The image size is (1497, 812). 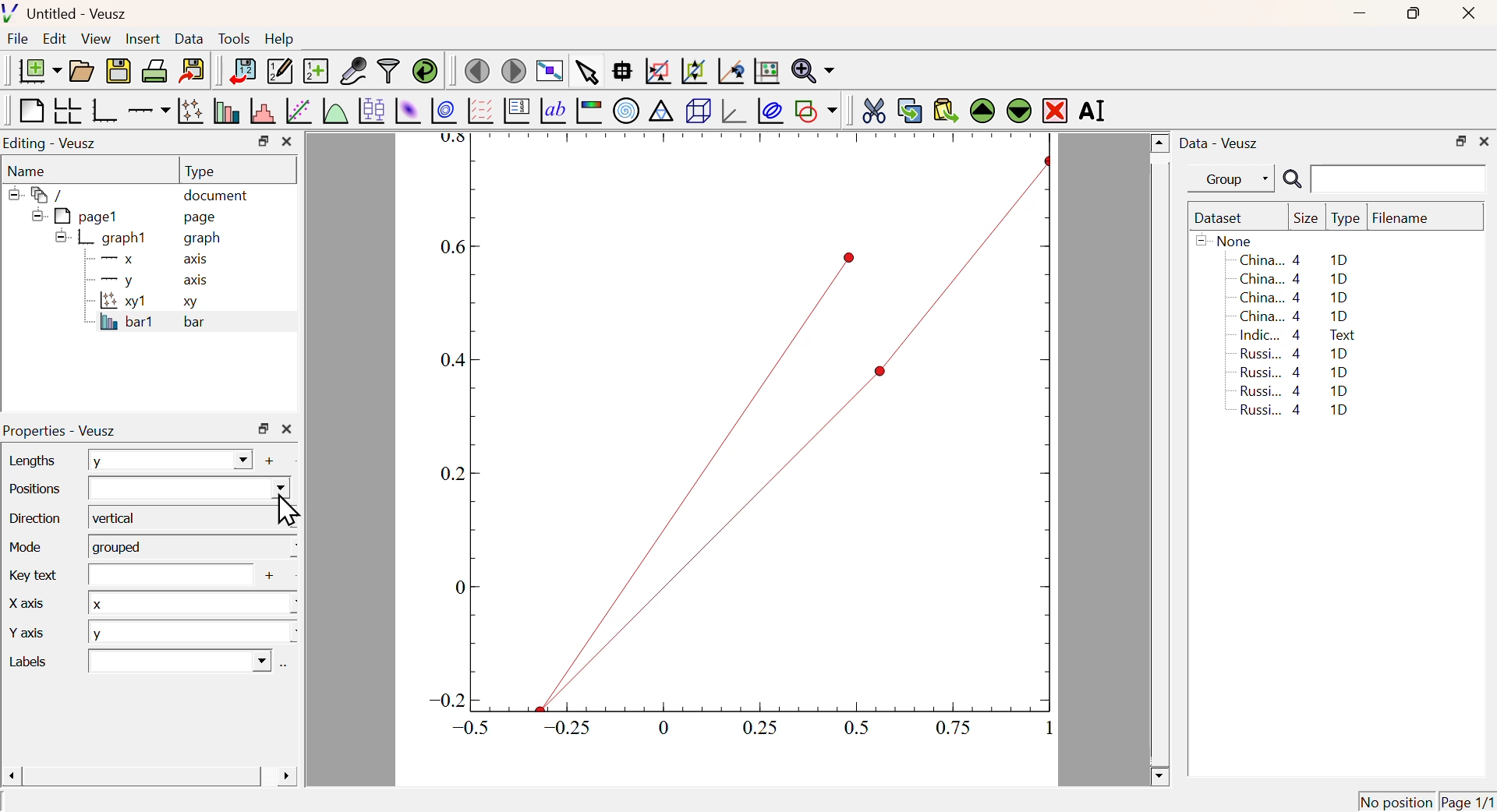 I want to click on Plot bar charts, so click(x=226, y=111).